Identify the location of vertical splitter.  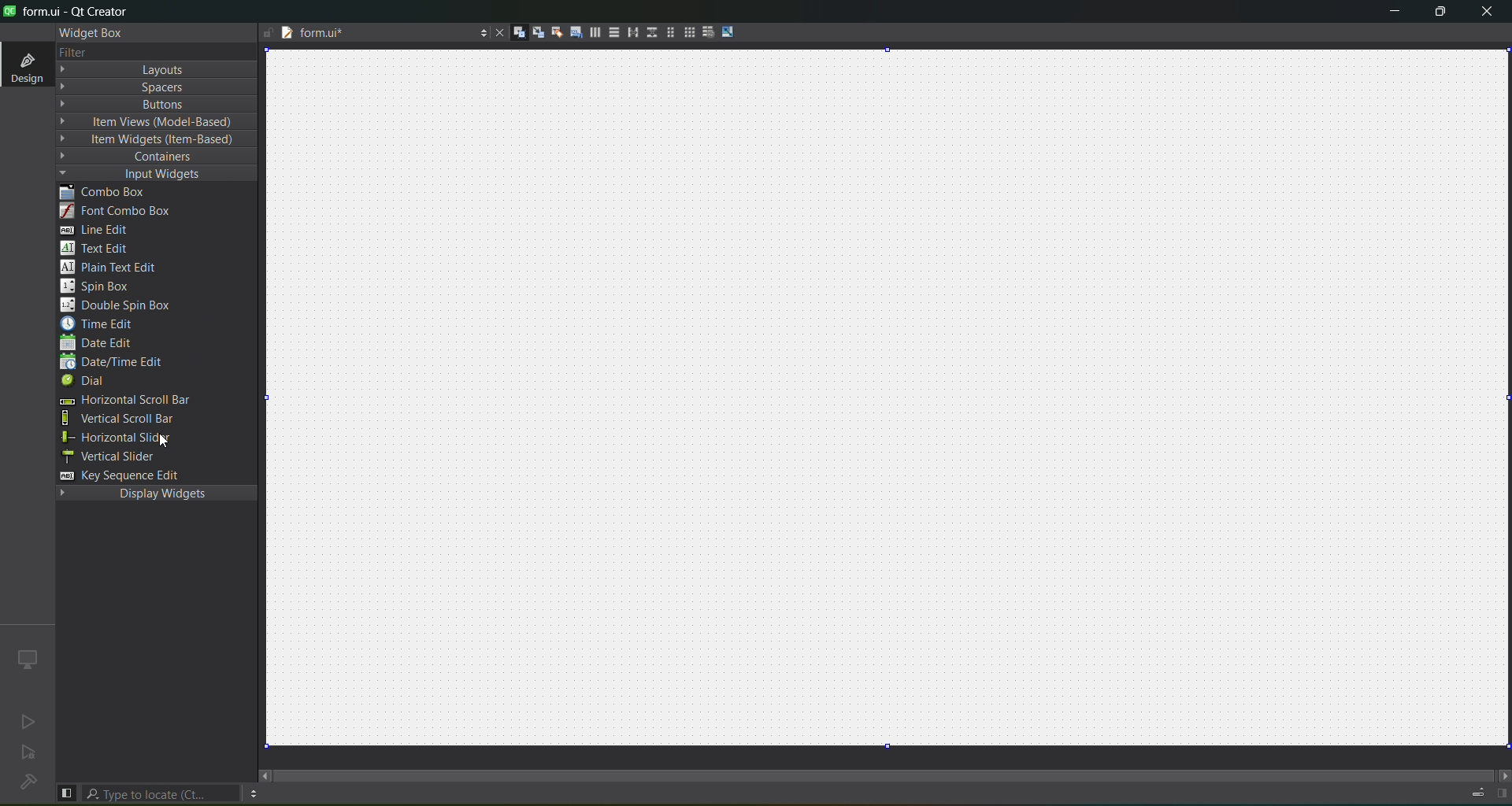
(650, 32).